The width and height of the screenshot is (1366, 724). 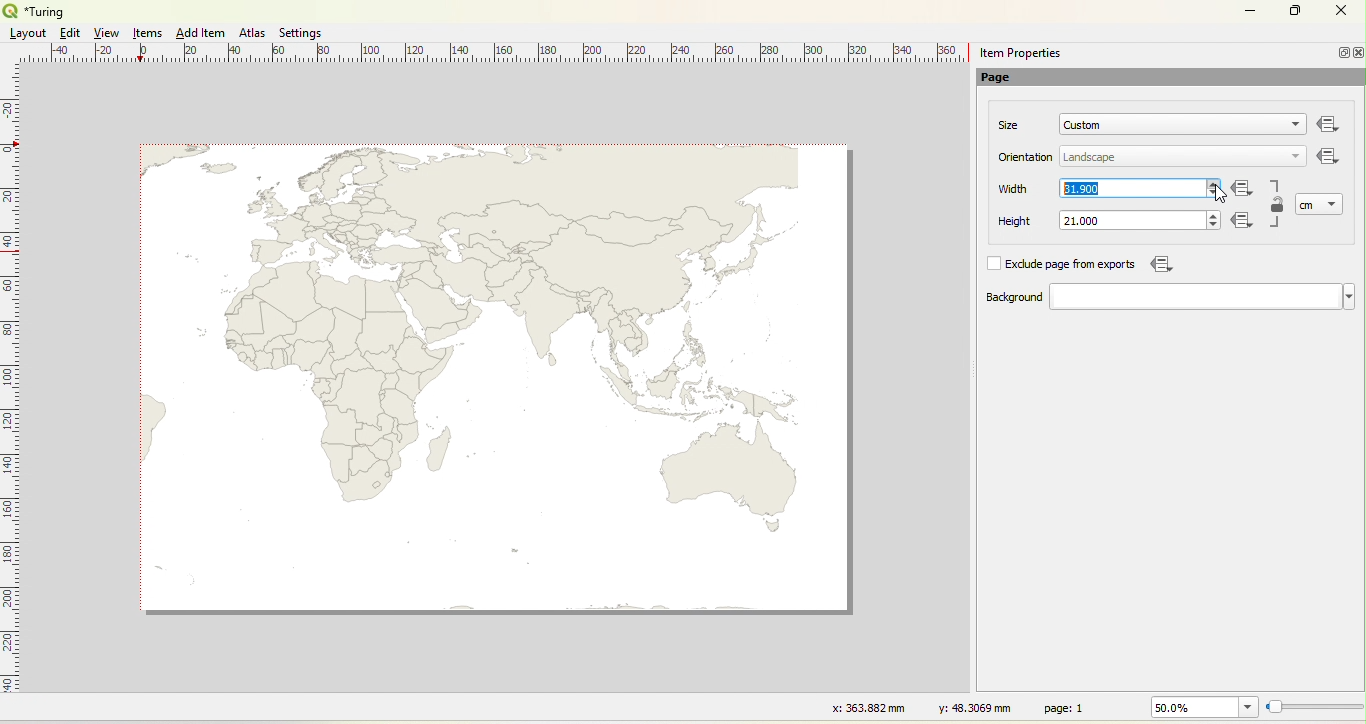 I want to click on Check box, so click(x=992, y=263).